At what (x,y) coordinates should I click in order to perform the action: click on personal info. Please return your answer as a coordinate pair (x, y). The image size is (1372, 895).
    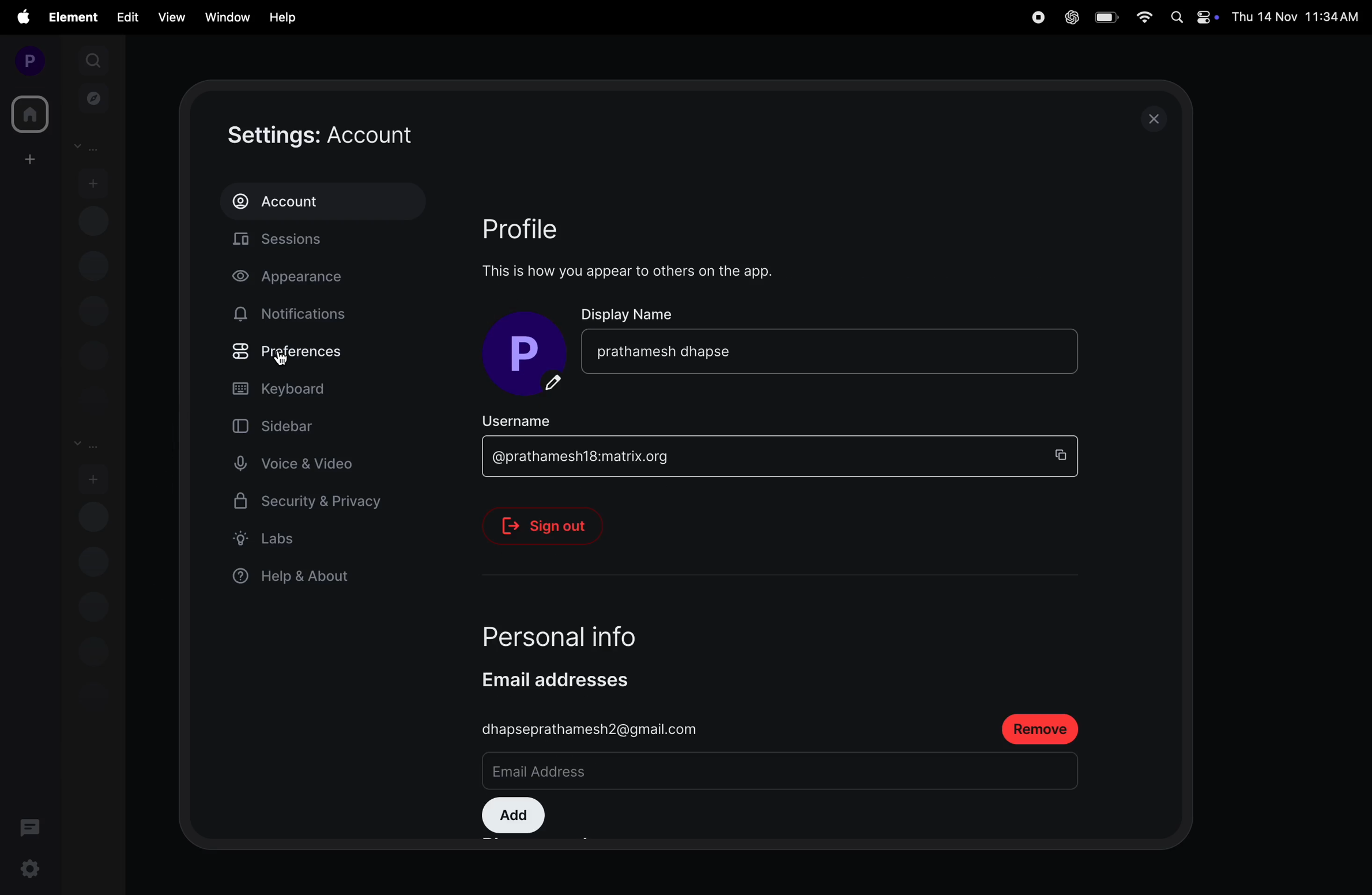
    Looking at the image, I should click on (563, 634).